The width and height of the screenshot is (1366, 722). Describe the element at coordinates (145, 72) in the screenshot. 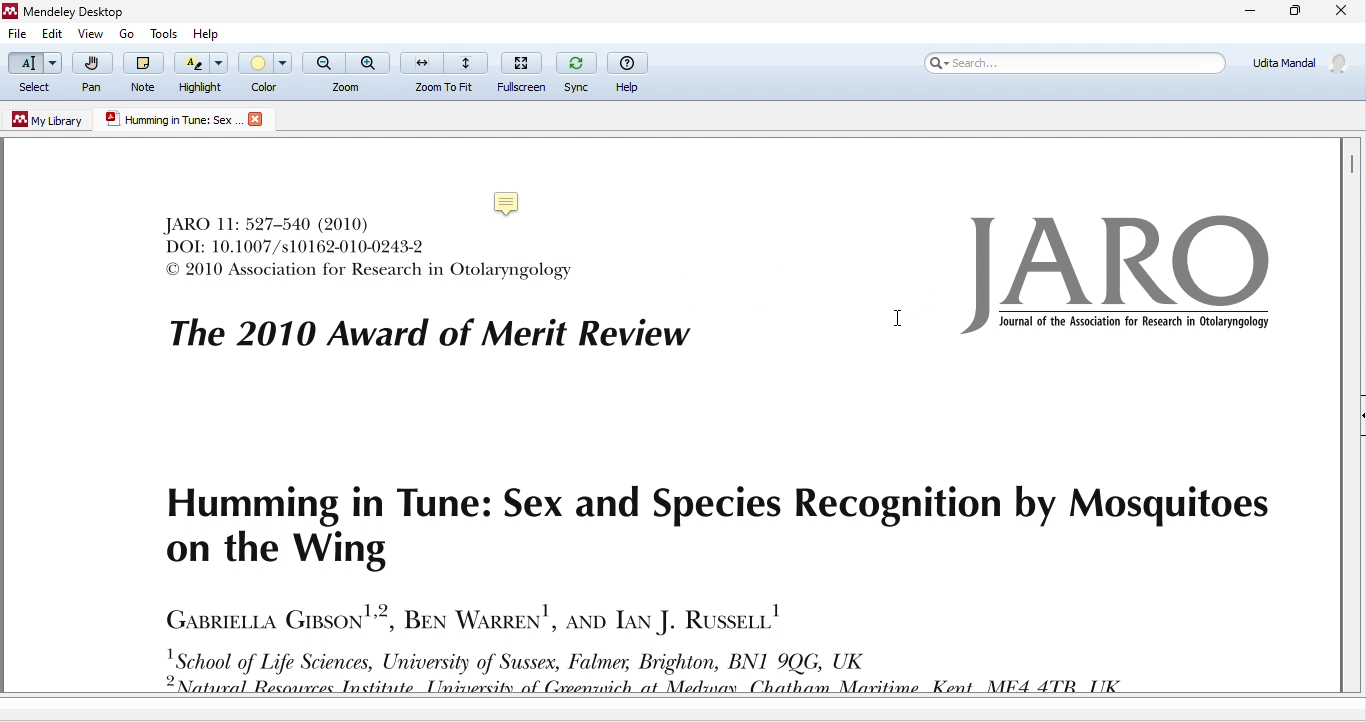

I see `note` at that location.